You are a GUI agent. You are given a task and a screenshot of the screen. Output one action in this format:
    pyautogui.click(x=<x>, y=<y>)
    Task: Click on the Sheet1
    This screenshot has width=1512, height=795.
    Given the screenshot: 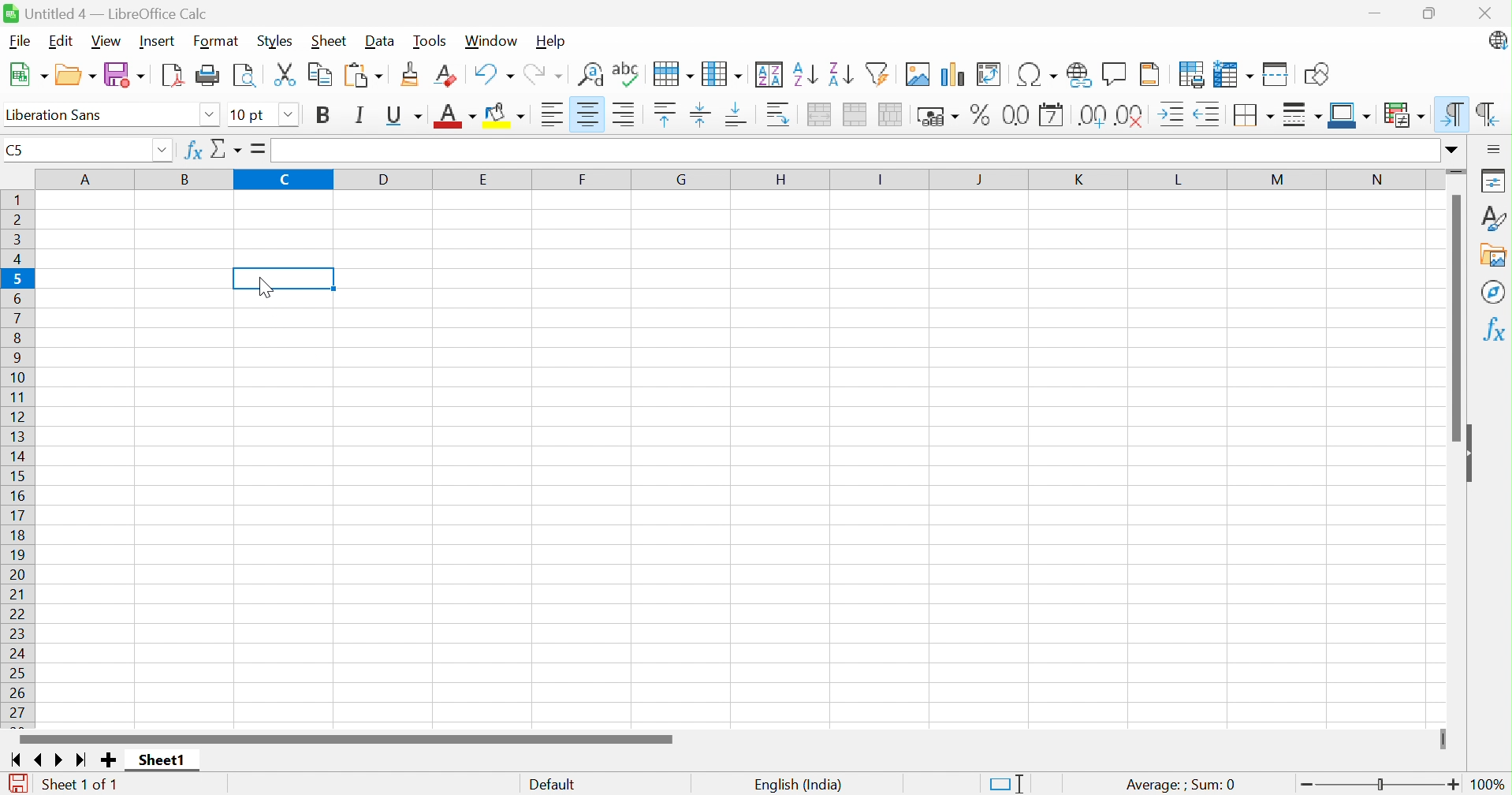 What is the action you would take?
    pyautogui.click(x=160, y=761)
    